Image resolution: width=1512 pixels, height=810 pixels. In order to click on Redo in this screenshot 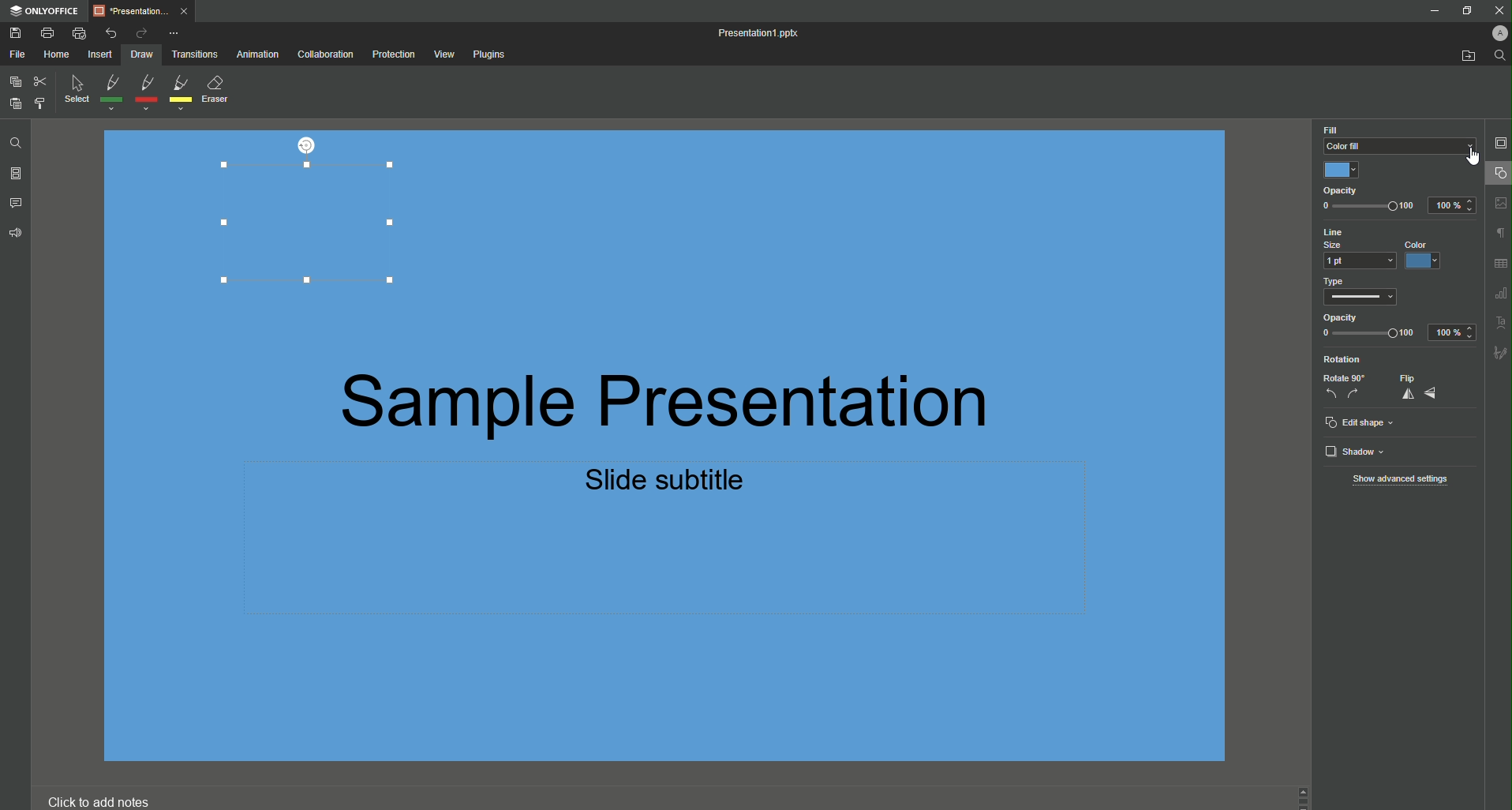, I will do `click(140, 32)`.